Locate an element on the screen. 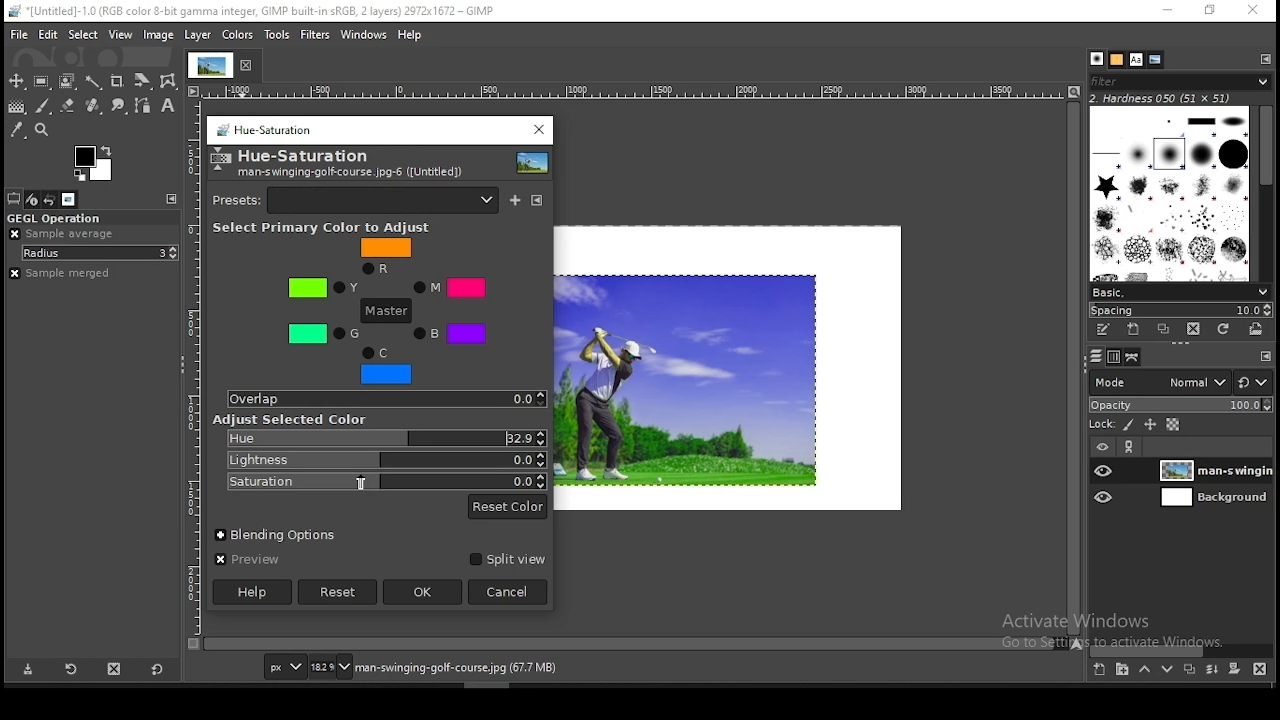 This screenshot has width=1280, height=720. save current as named preset is located at coordinates (515, 199).